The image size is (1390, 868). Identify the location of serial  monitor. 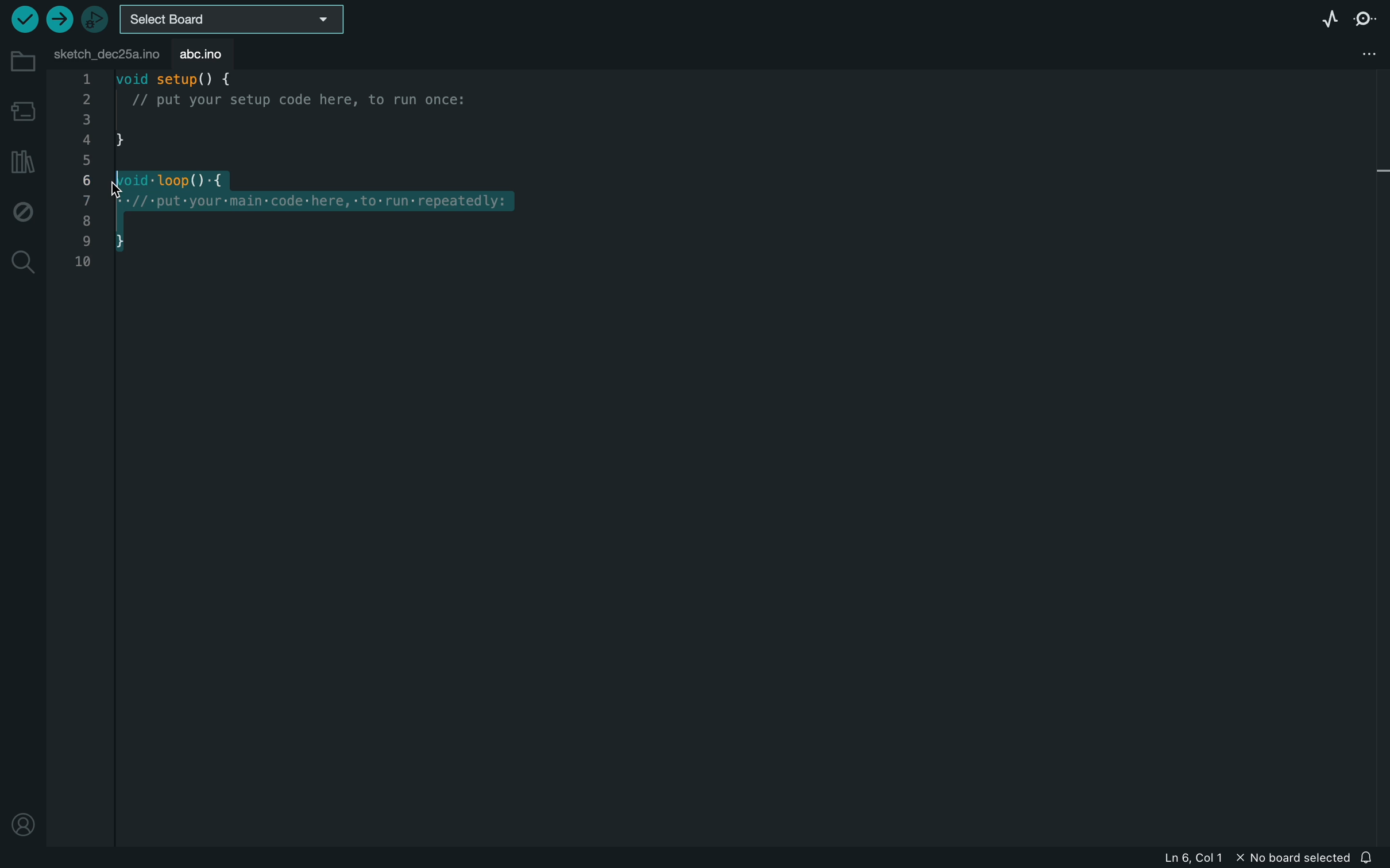
(1368, 21).